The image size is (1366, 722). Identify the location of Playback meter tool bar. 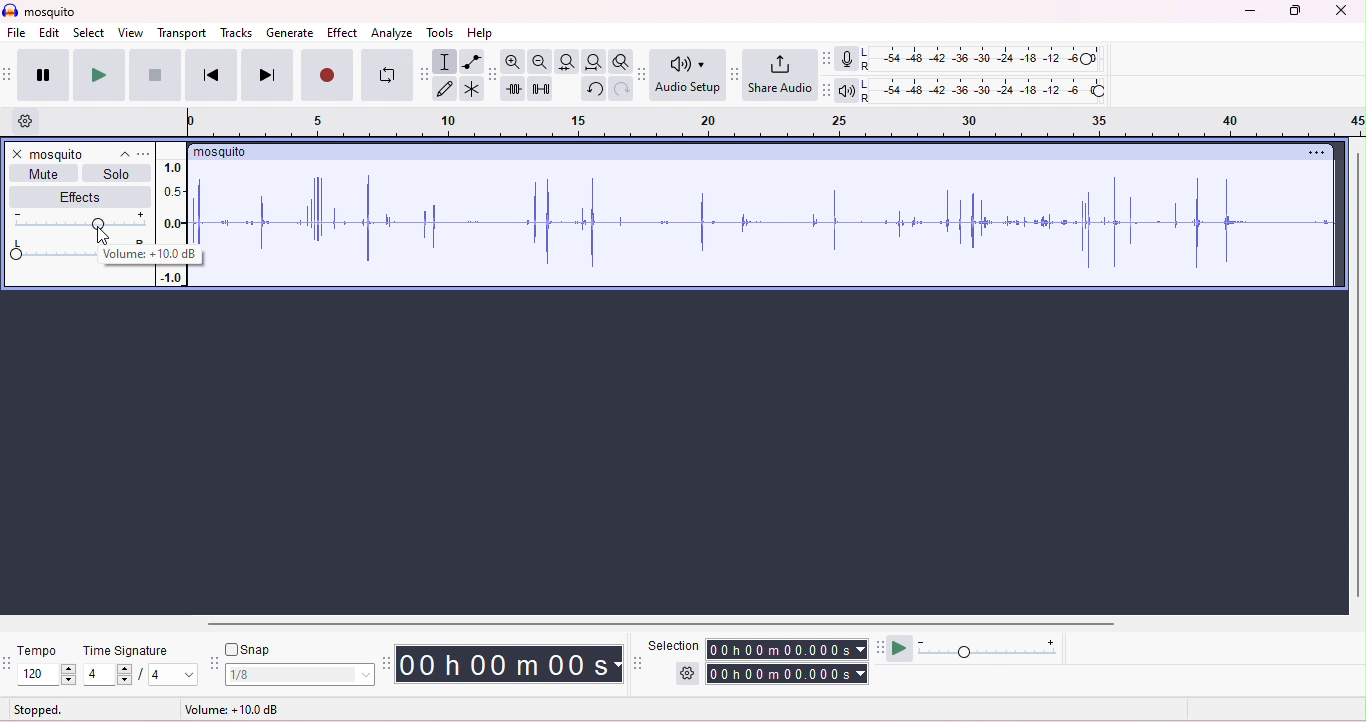
(825, 91).